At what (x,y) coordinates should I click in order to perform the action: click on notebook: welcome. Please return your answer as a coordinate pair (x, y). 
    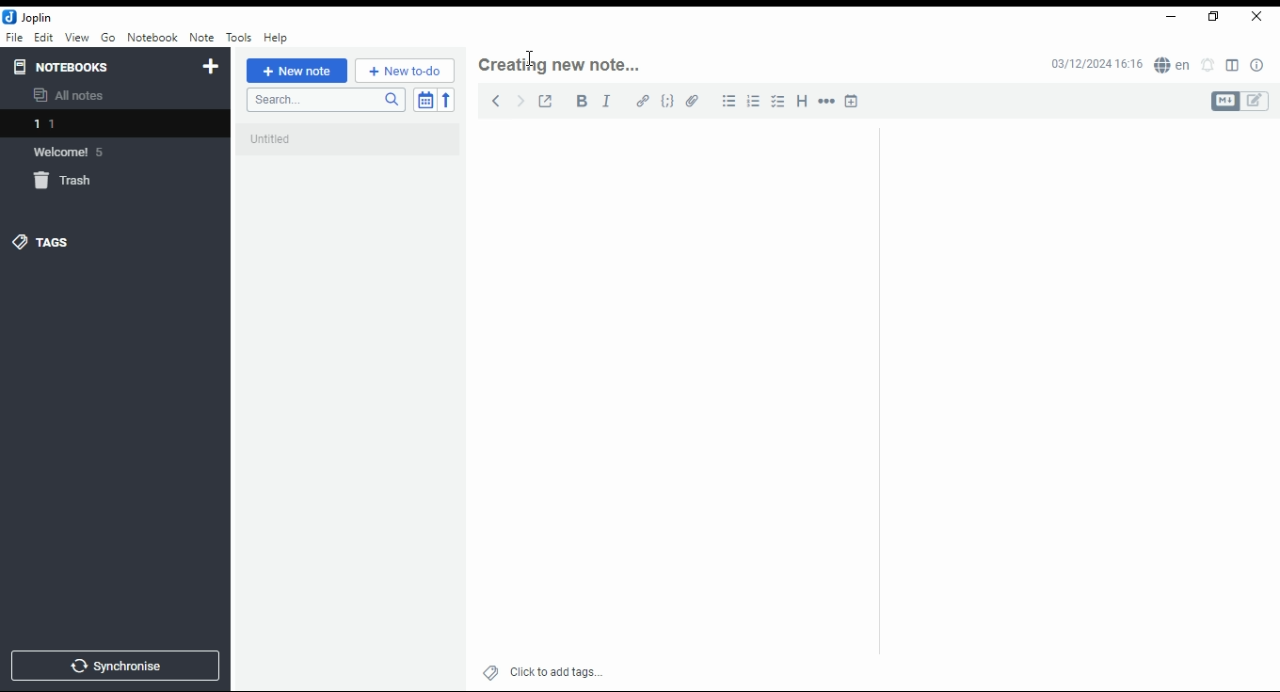
    Looking at the image, I should click on (73, 151).